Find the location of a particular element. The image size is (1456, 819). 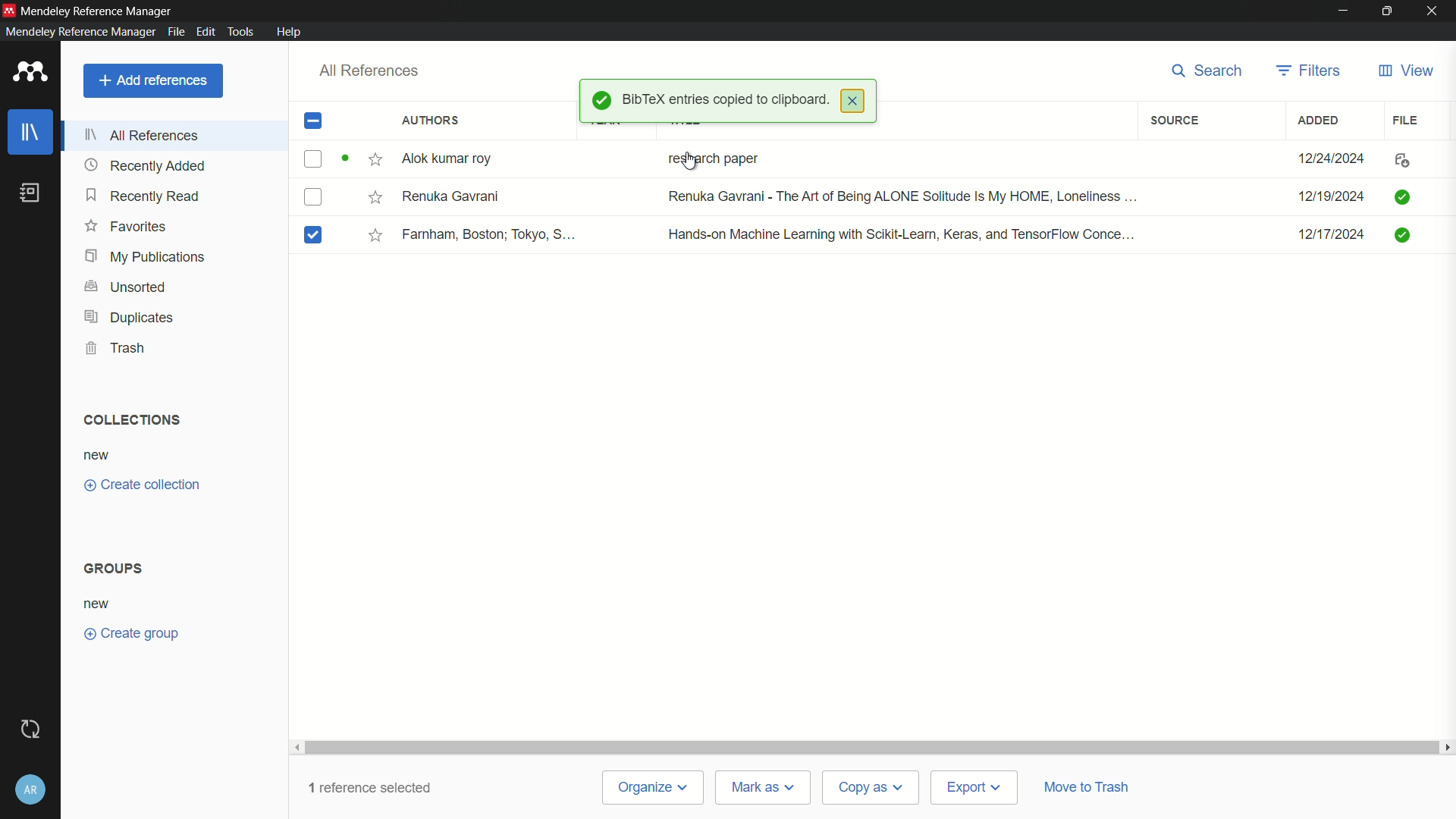

filters is located at coordinates (1307, 71).